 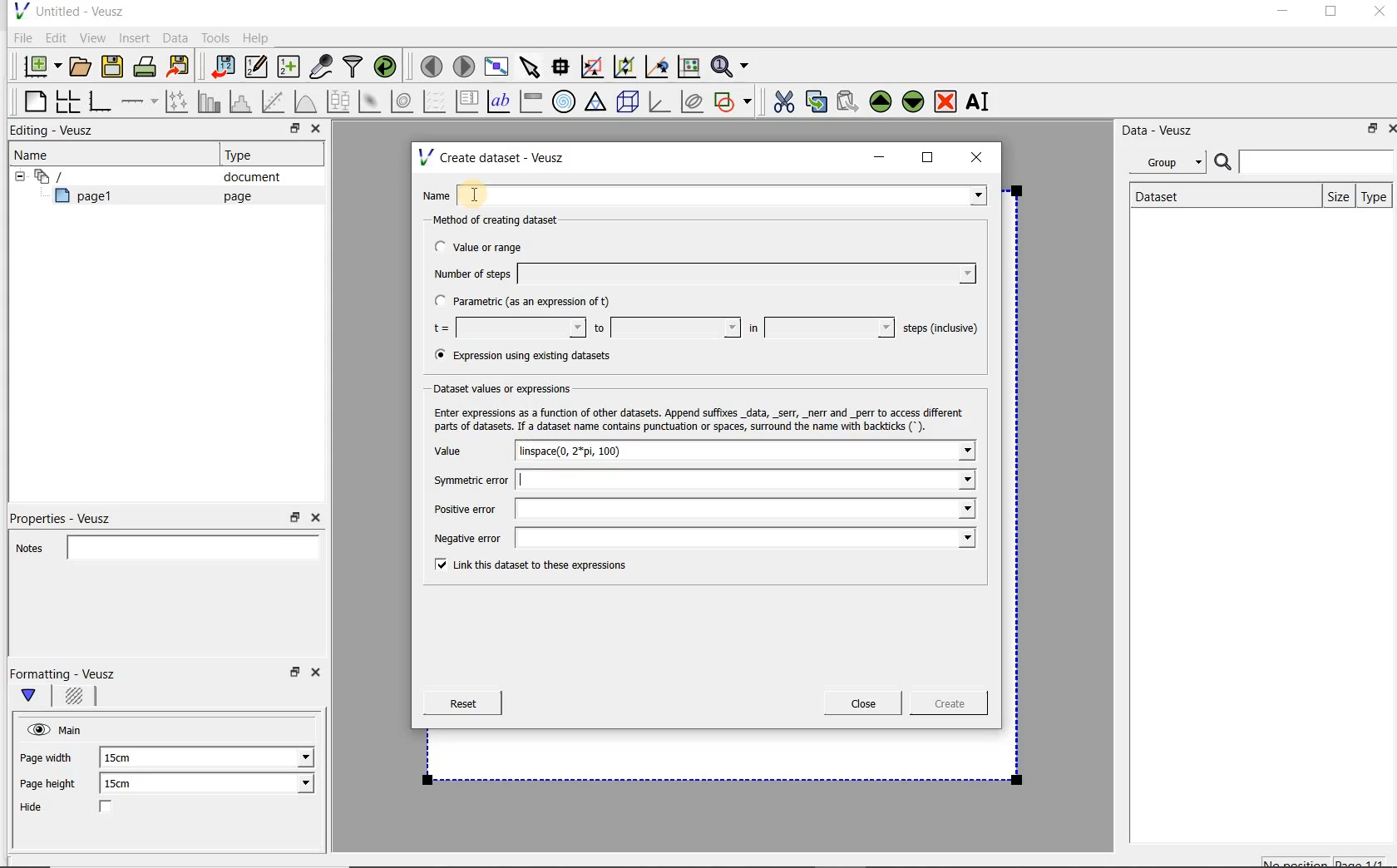 I want to click on Group, so click(x=1172, y=165).